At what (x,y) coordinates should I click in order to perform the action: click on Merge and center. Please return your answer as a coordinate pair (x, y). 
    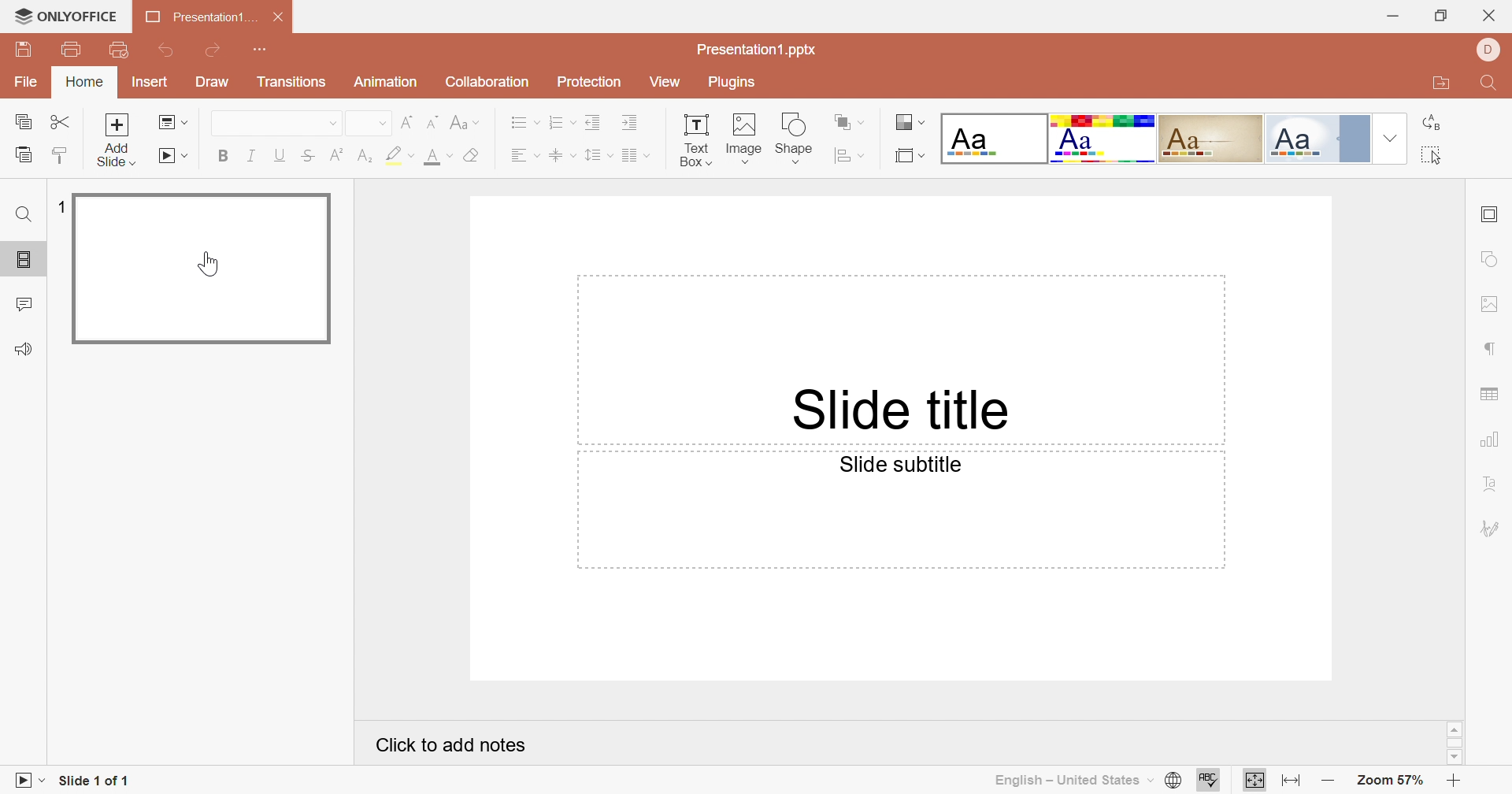
    Looking at the image, I should click on (636, 155).